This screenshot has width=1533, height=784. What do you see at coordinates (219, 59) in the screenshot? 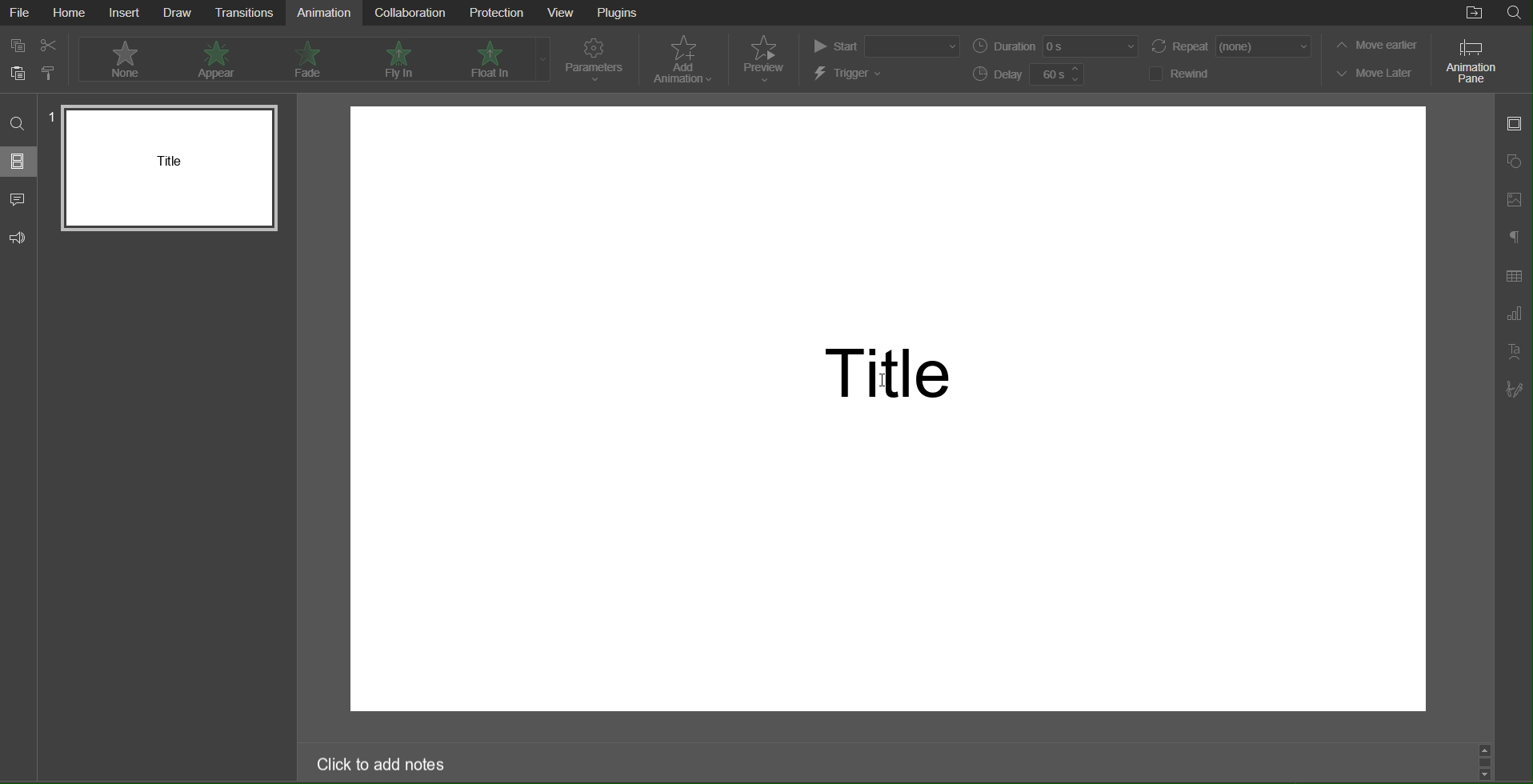
I see `Appear` at bounding box center [219, 59].